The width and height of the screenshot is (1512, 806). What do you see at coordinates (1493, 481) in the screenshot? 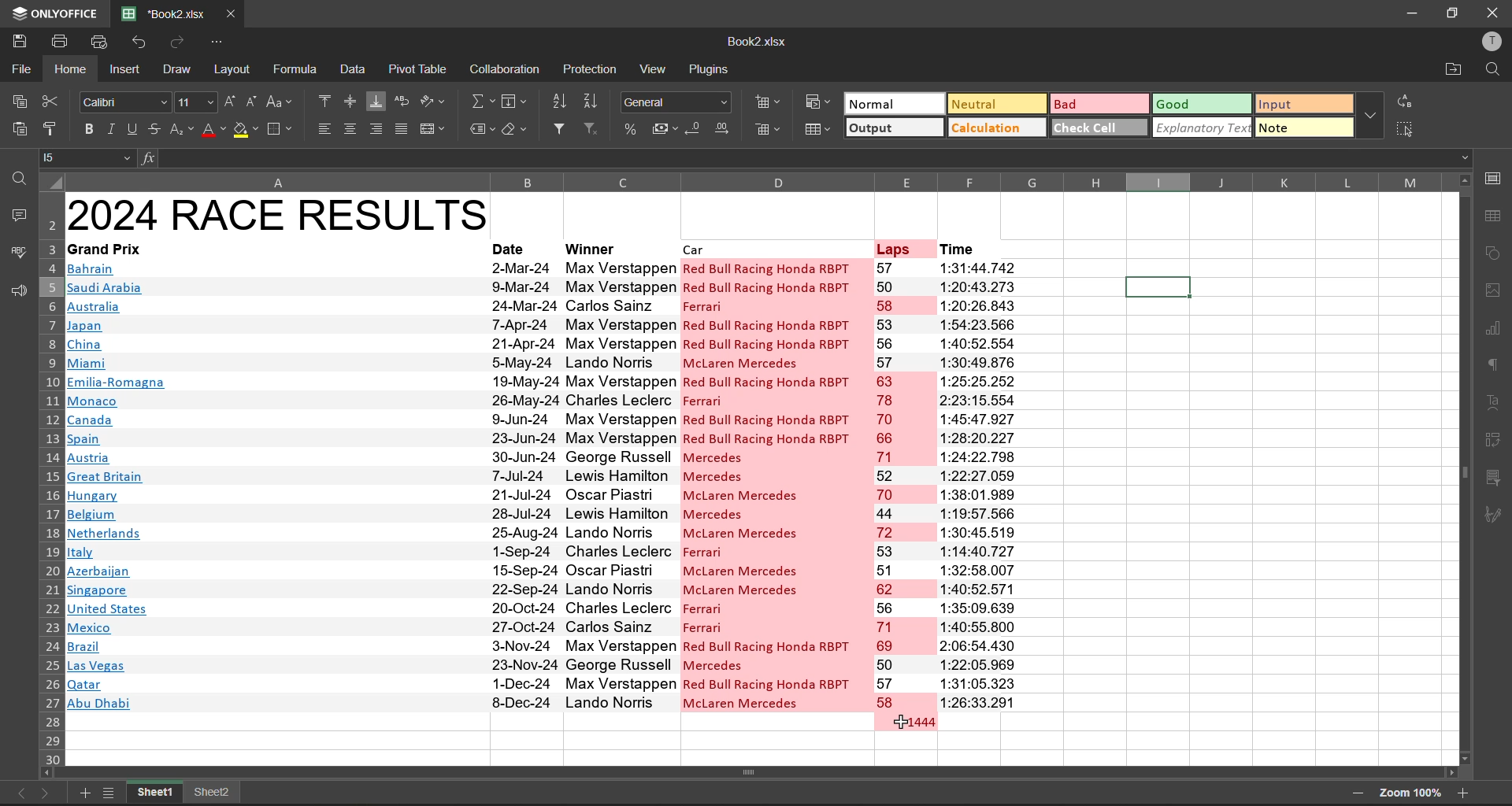
I see `slicer` at bounding box center [1493, 481].